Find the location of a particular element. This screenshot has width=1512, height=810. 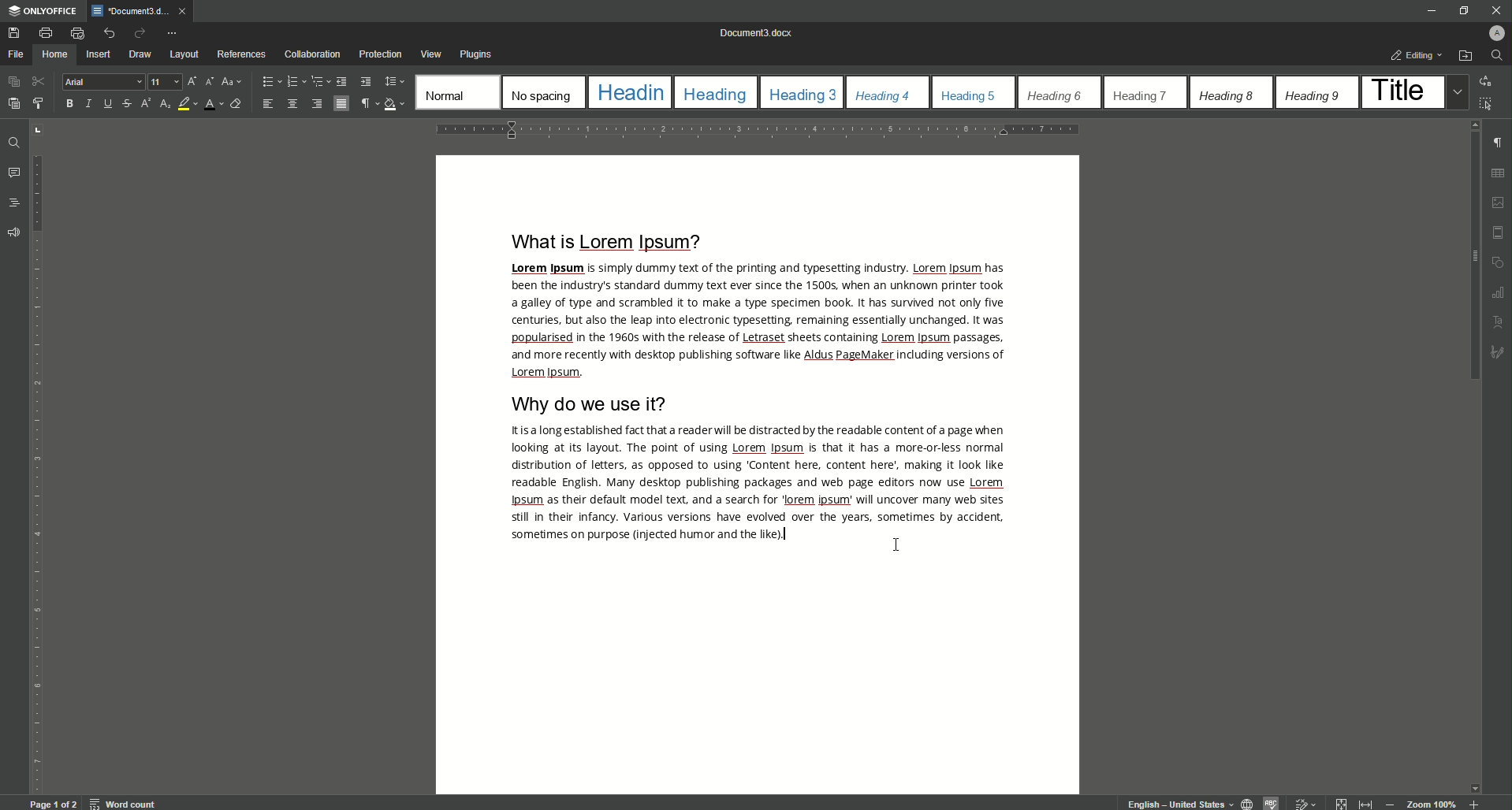

Why DO We Use It? is located at coordinates (595, 405).